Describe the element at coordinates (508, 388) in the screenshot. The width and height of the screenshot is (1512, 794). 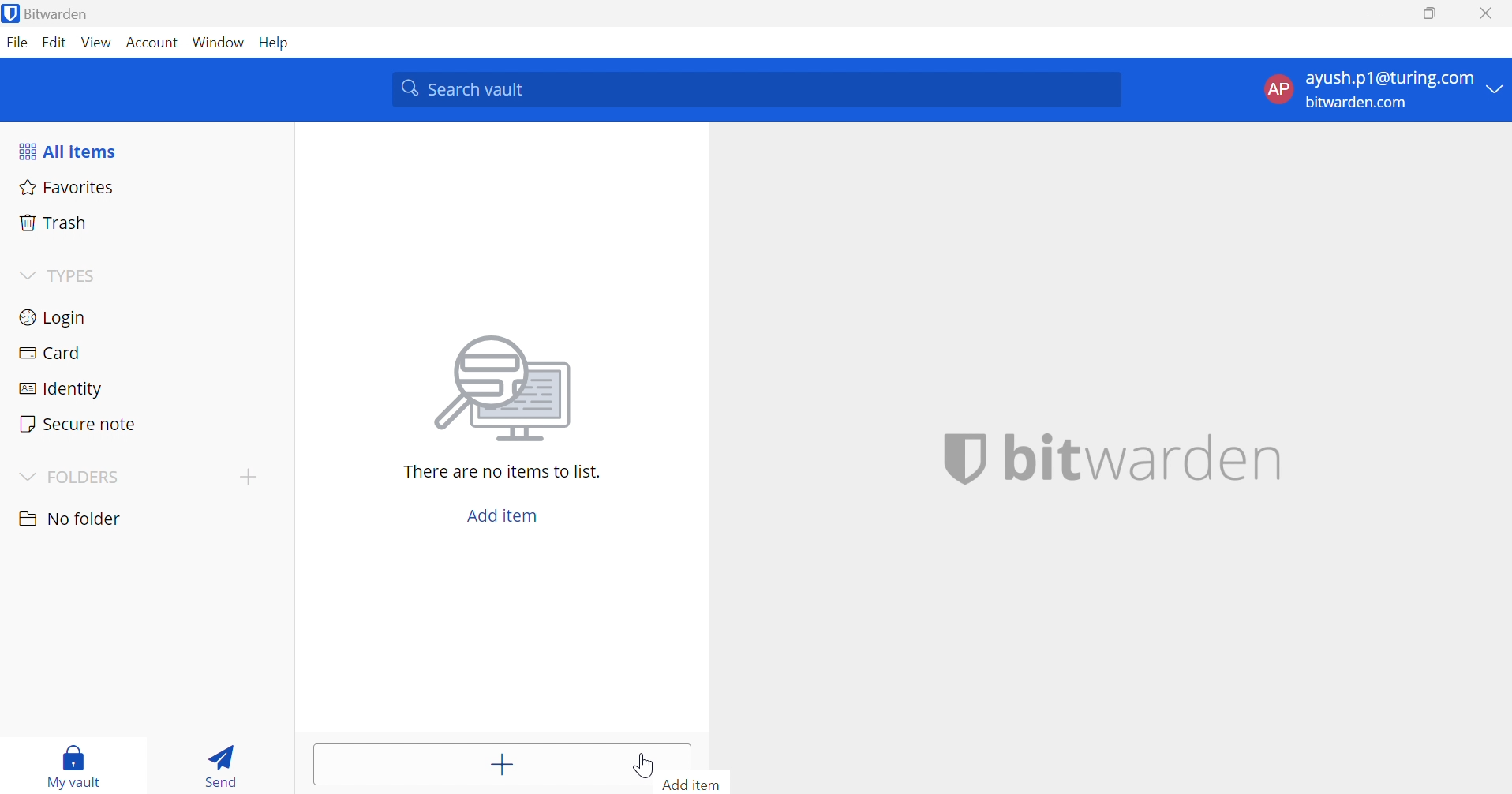
I see `image` at that location.